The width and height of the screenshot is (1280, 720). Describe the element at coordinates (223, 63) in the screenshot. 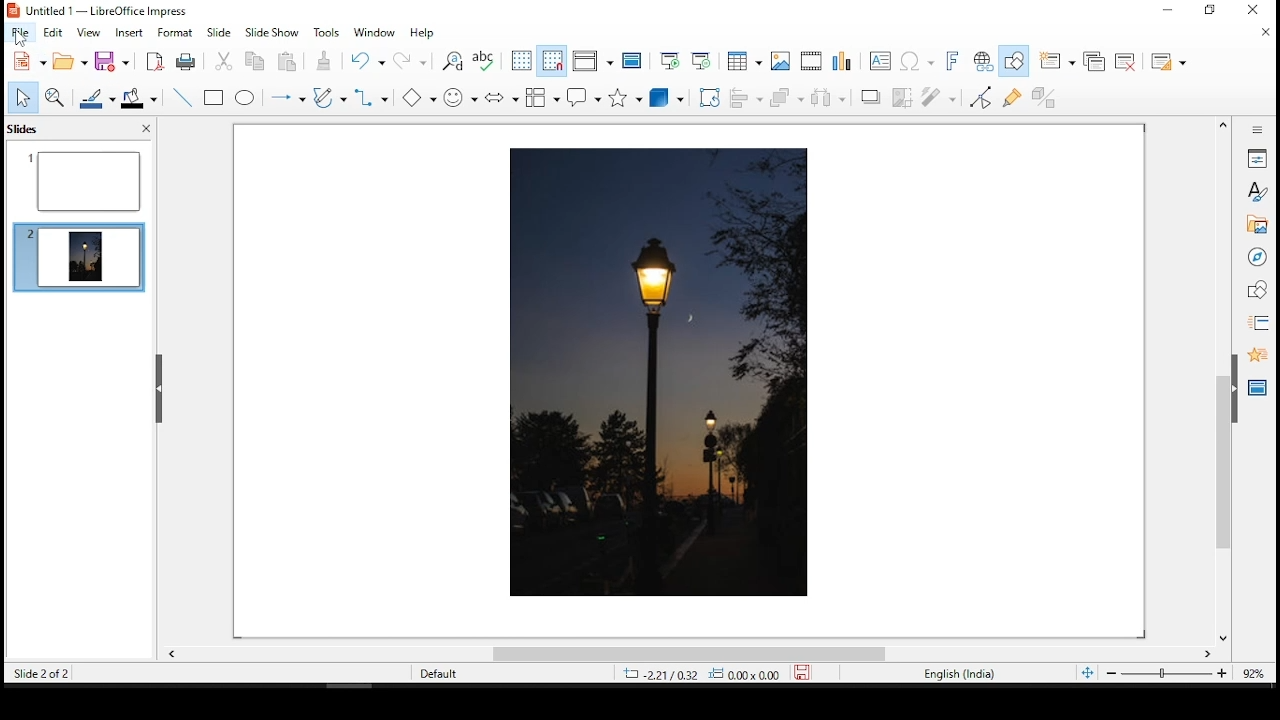

I see `cut` at that location.